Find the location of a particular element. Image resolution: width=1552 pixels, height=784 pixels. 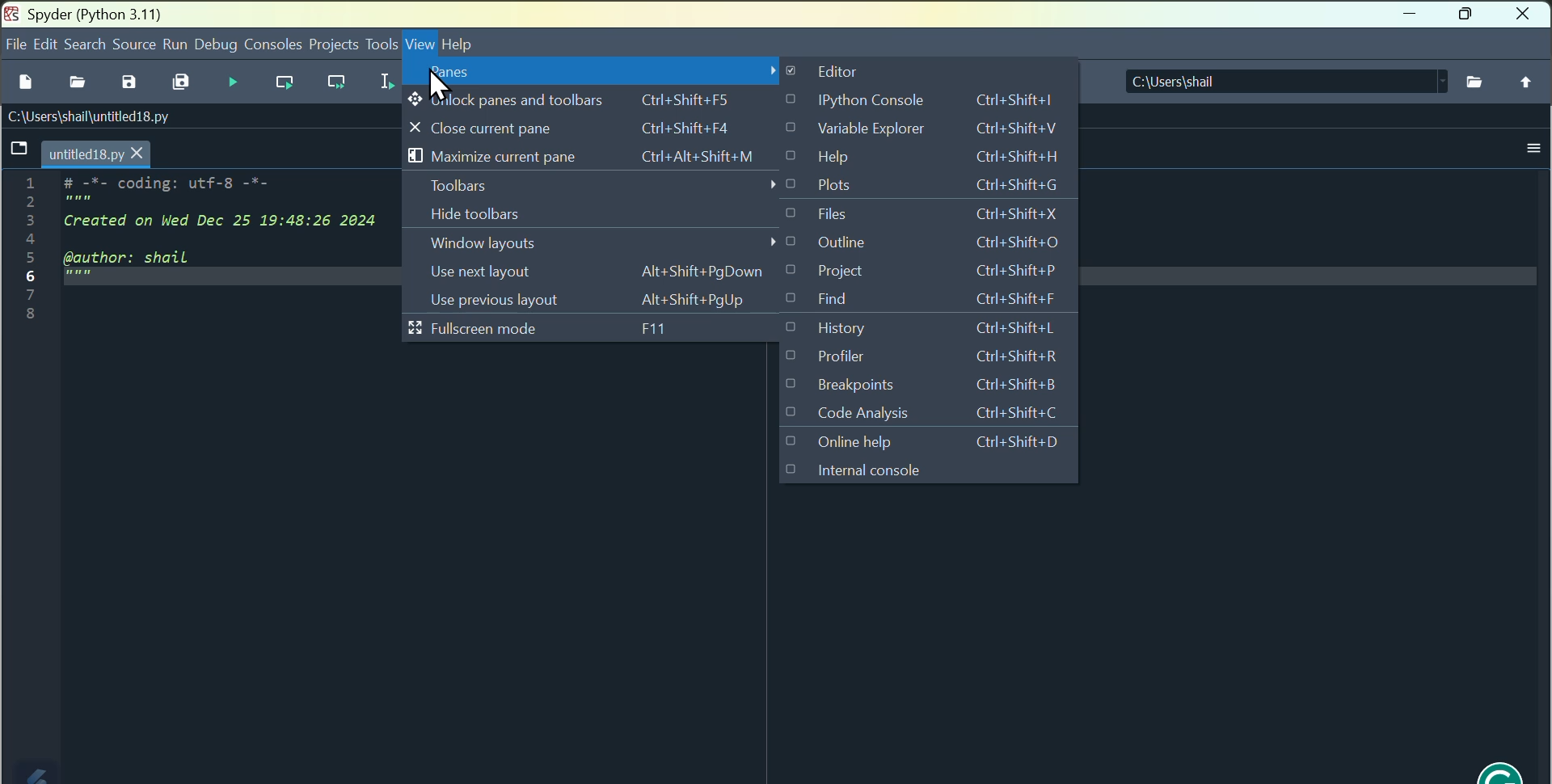

View is located at coordinates (420, 46).